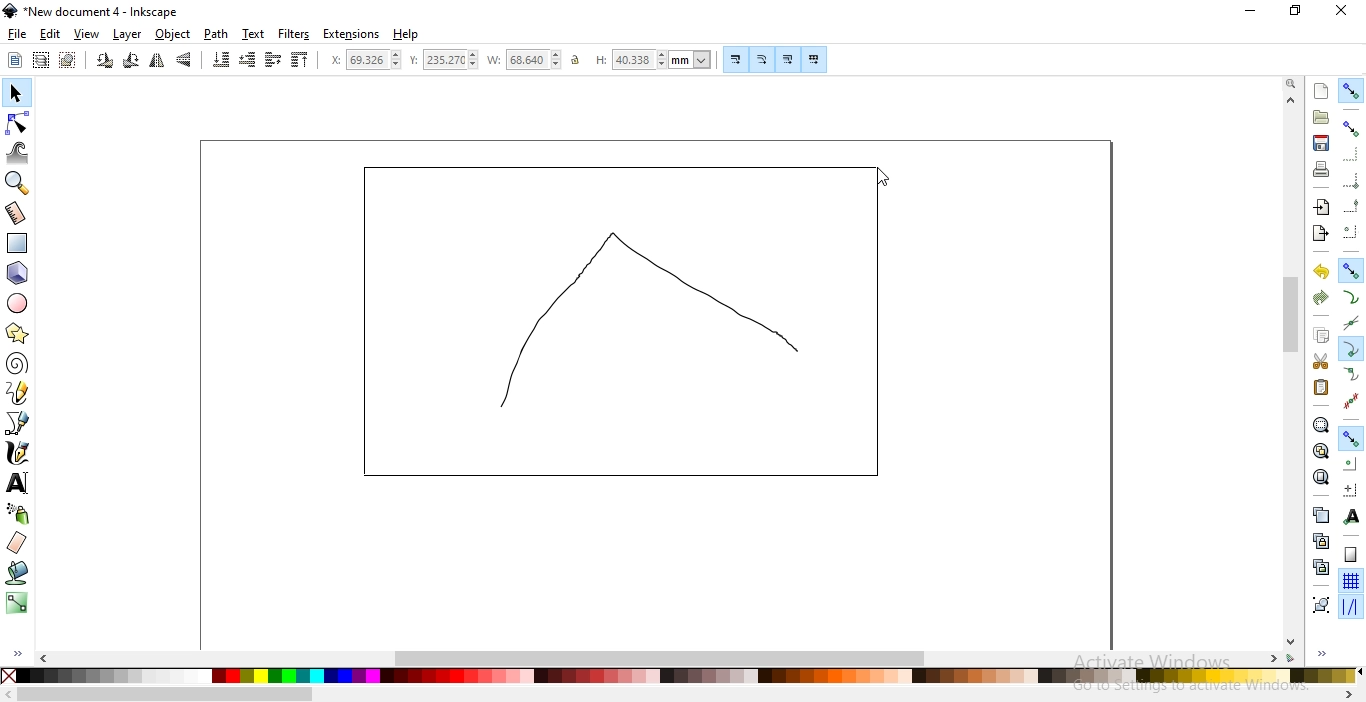 This screenshot has height=702, width=1366. I want to click on redo, so click(1320, 298).